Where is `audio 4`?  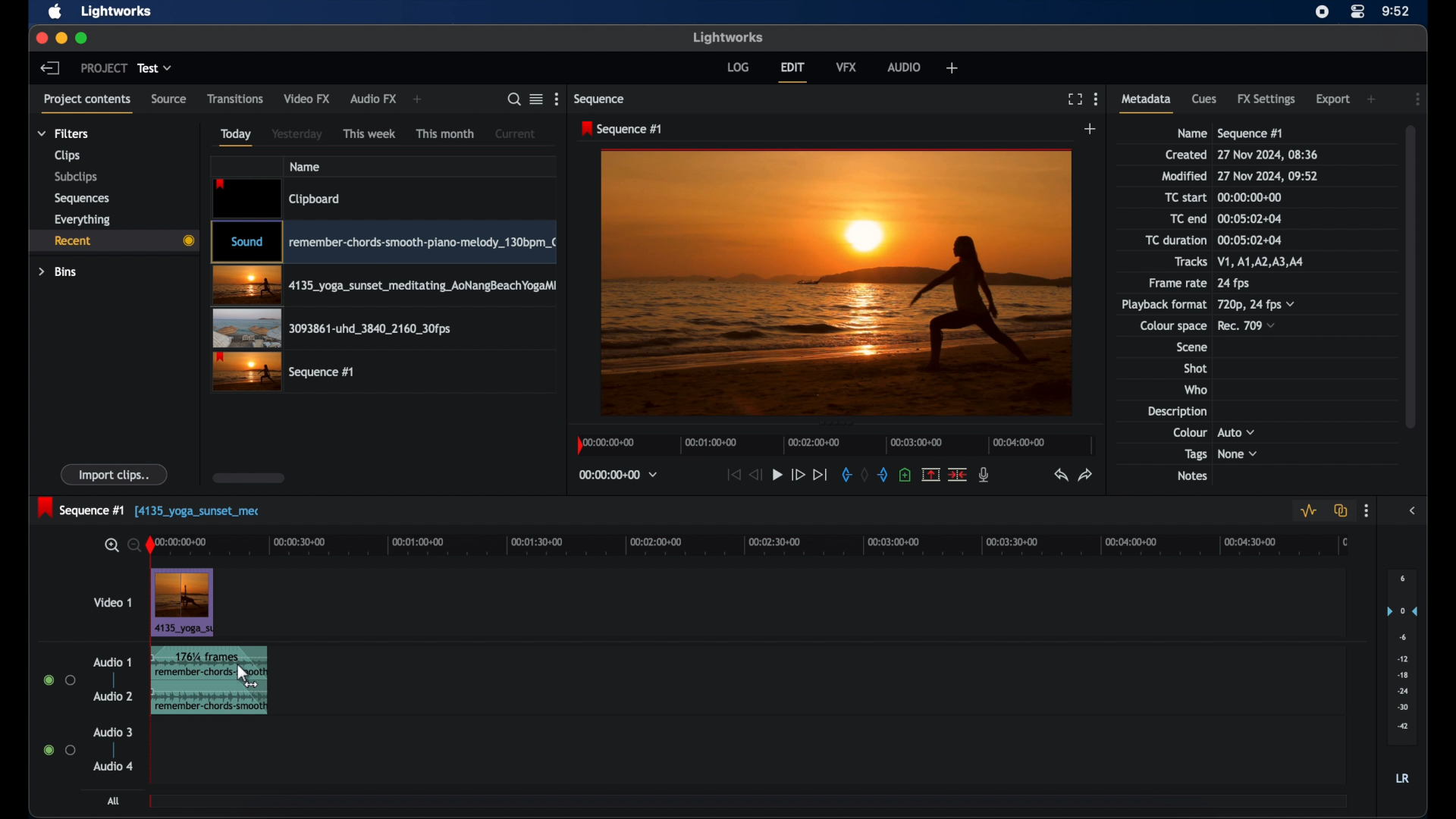 audio 4 is located at coordinates (114, 767).